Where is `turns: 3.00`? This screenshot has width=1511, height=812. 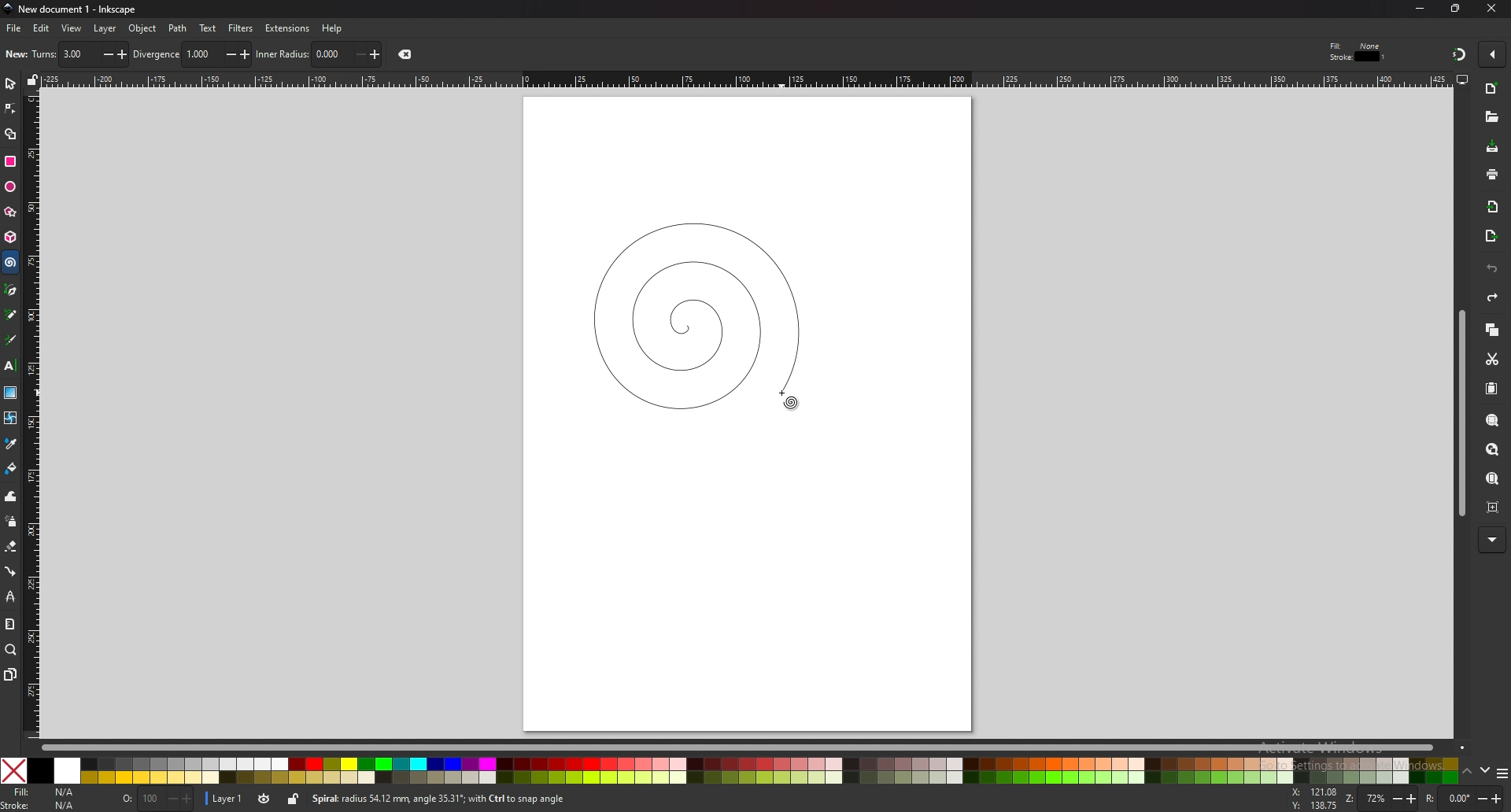
turns: 3.00 is located at coordinates (80, 54).